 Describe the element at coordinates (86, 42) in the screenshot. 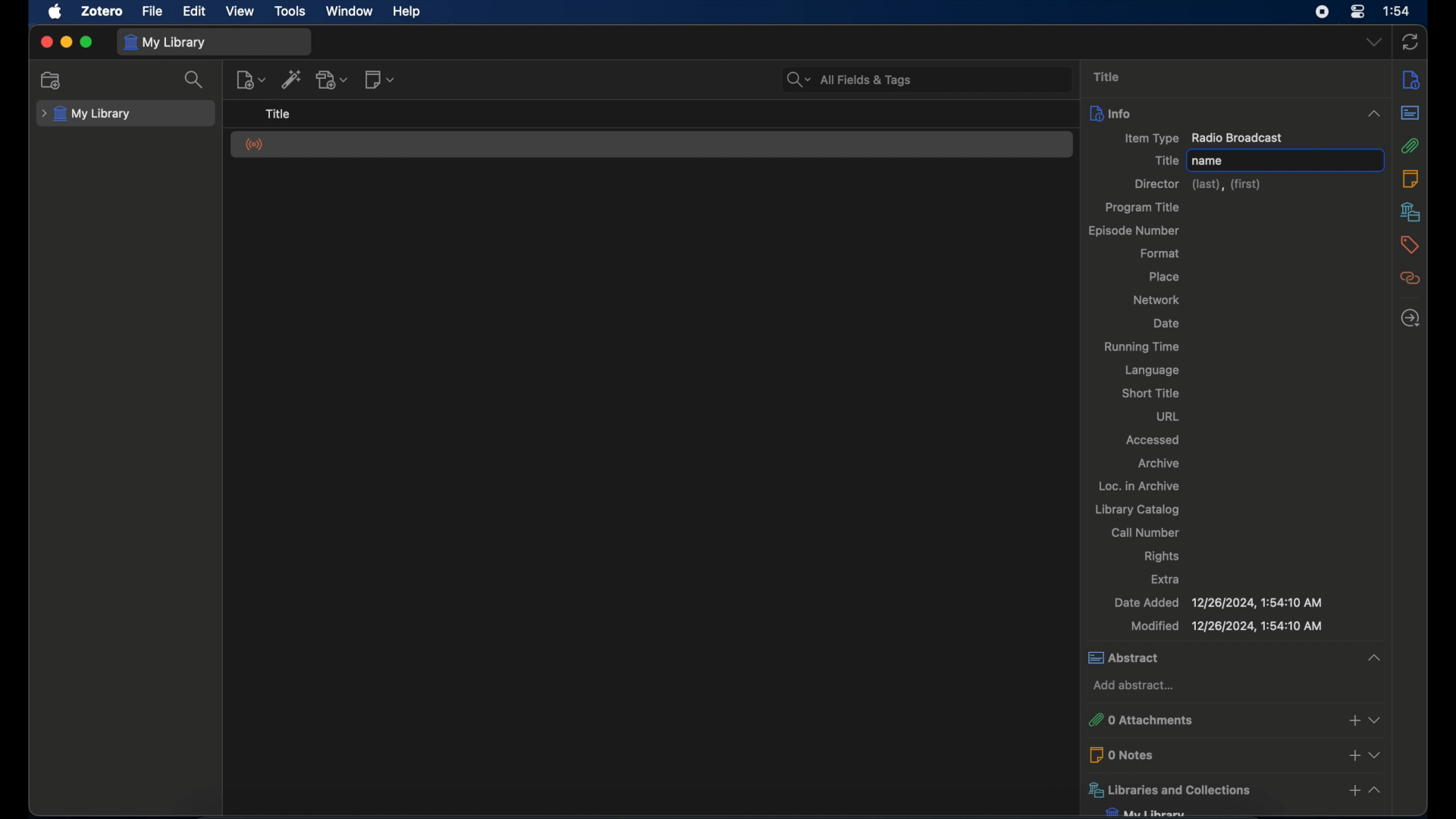

I see `maximize` at that location.